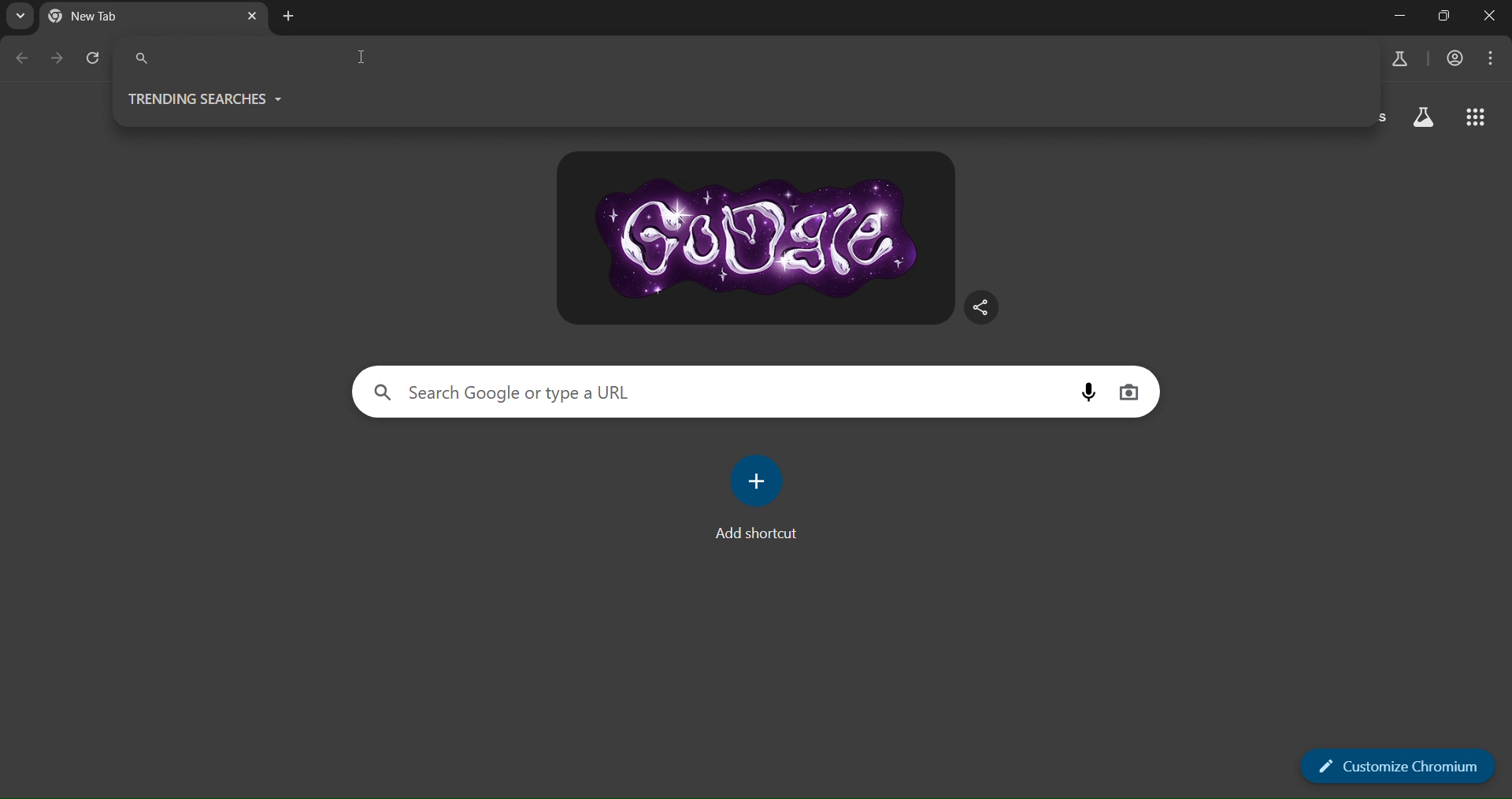  Describe the element at coordinates (1086, 392) in the screenshot. I see `voice search` at that location.